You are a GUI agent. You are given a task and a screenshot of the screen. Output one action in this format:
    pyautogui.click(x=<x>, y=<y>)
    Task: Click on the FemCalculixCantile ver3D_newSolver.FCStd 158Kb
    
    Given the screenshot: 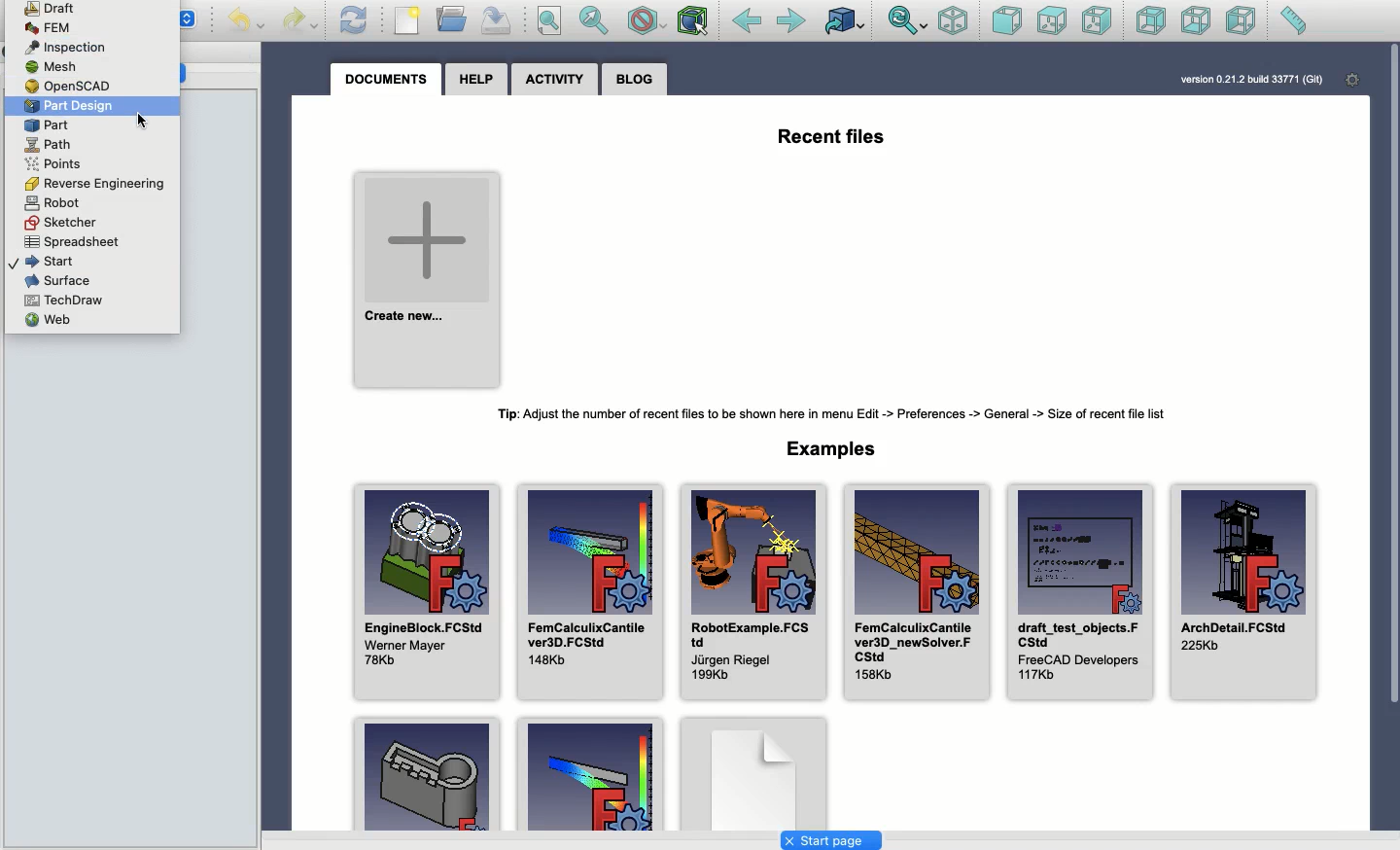 What is the action you would take?
    pyautogui.click(x=914, y=592)
    